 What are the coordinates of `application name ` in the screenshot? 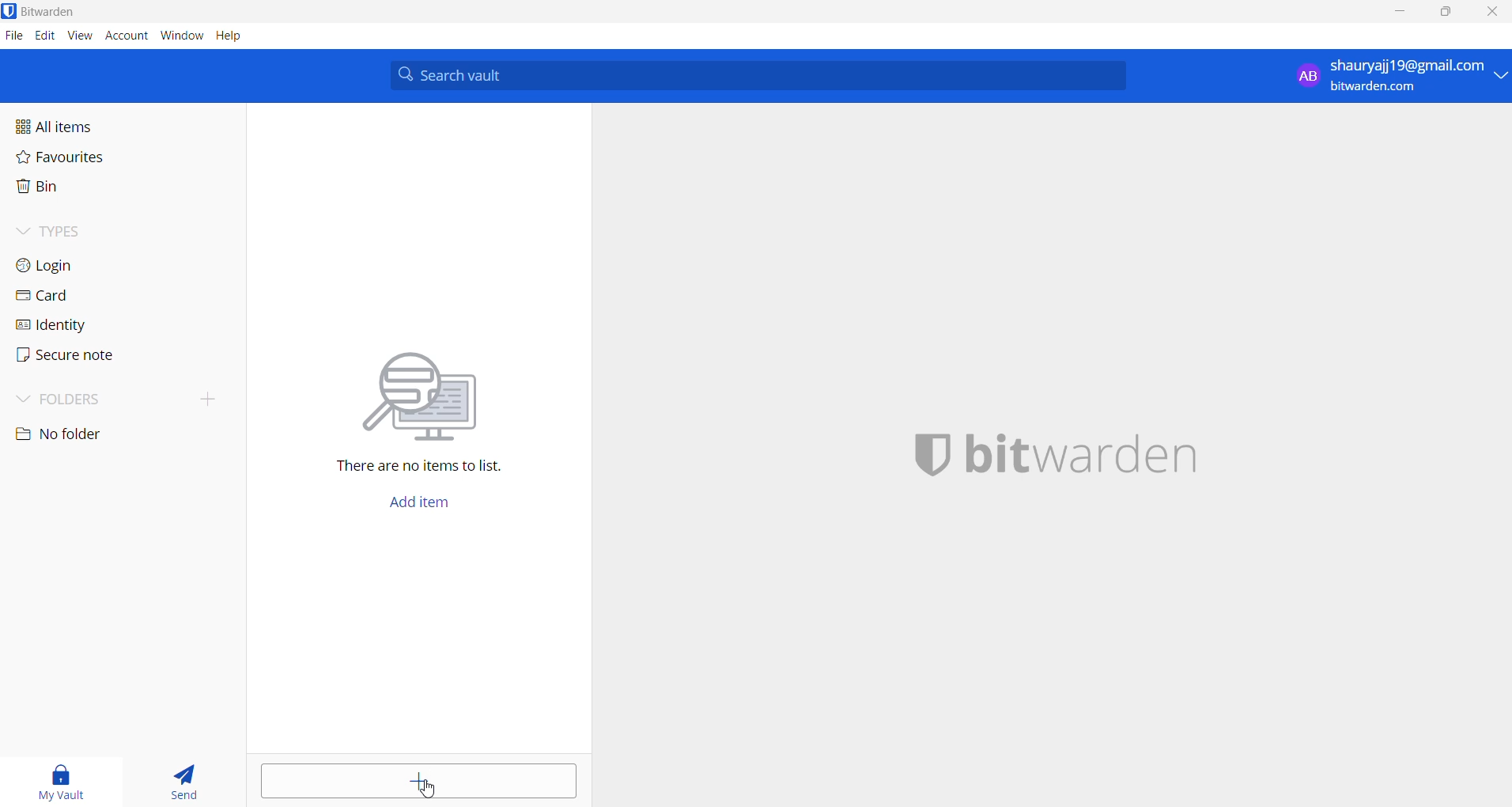 It's located at (1101, 454).